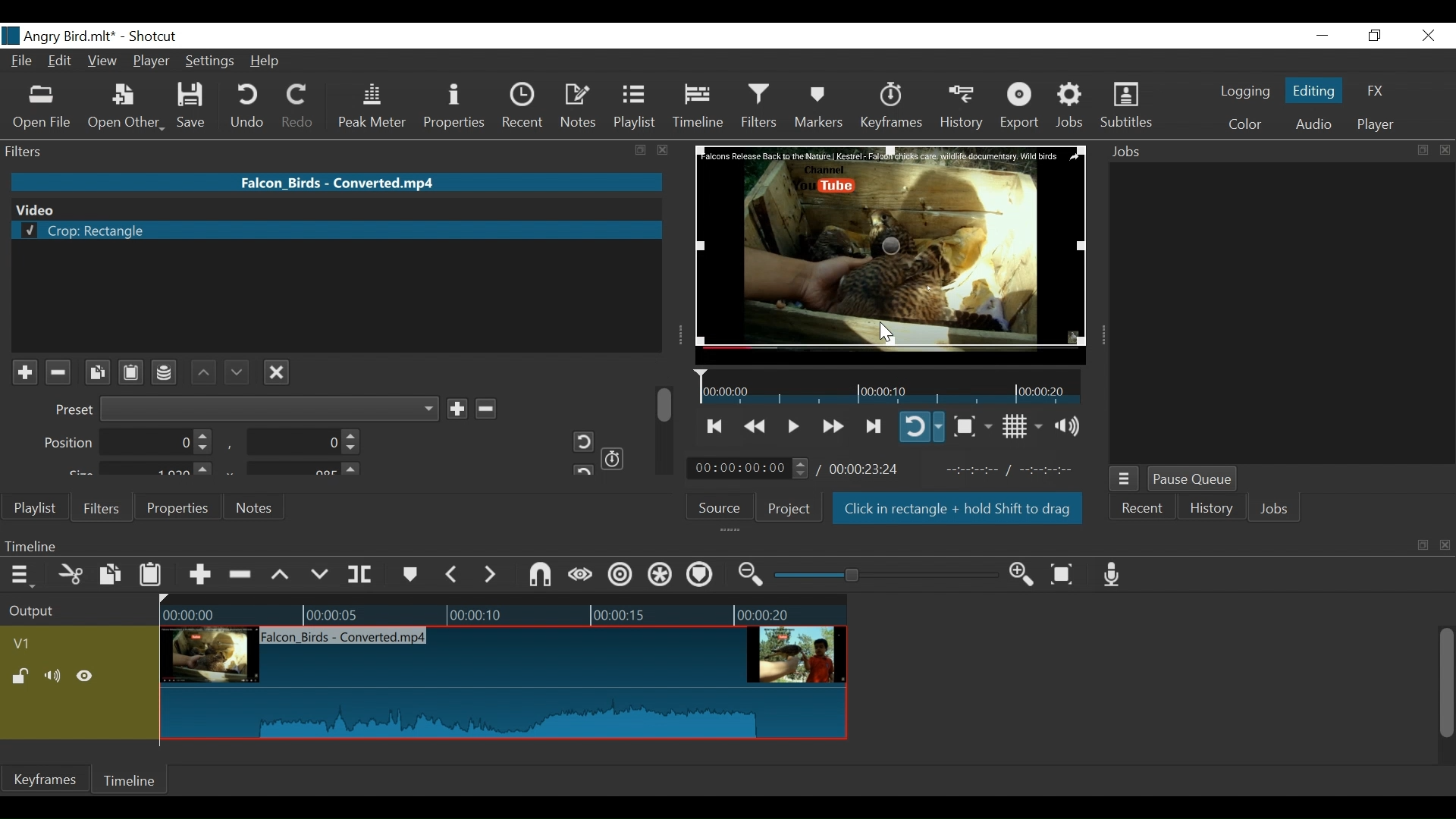  I want to click on File Name, so click(339, 181).